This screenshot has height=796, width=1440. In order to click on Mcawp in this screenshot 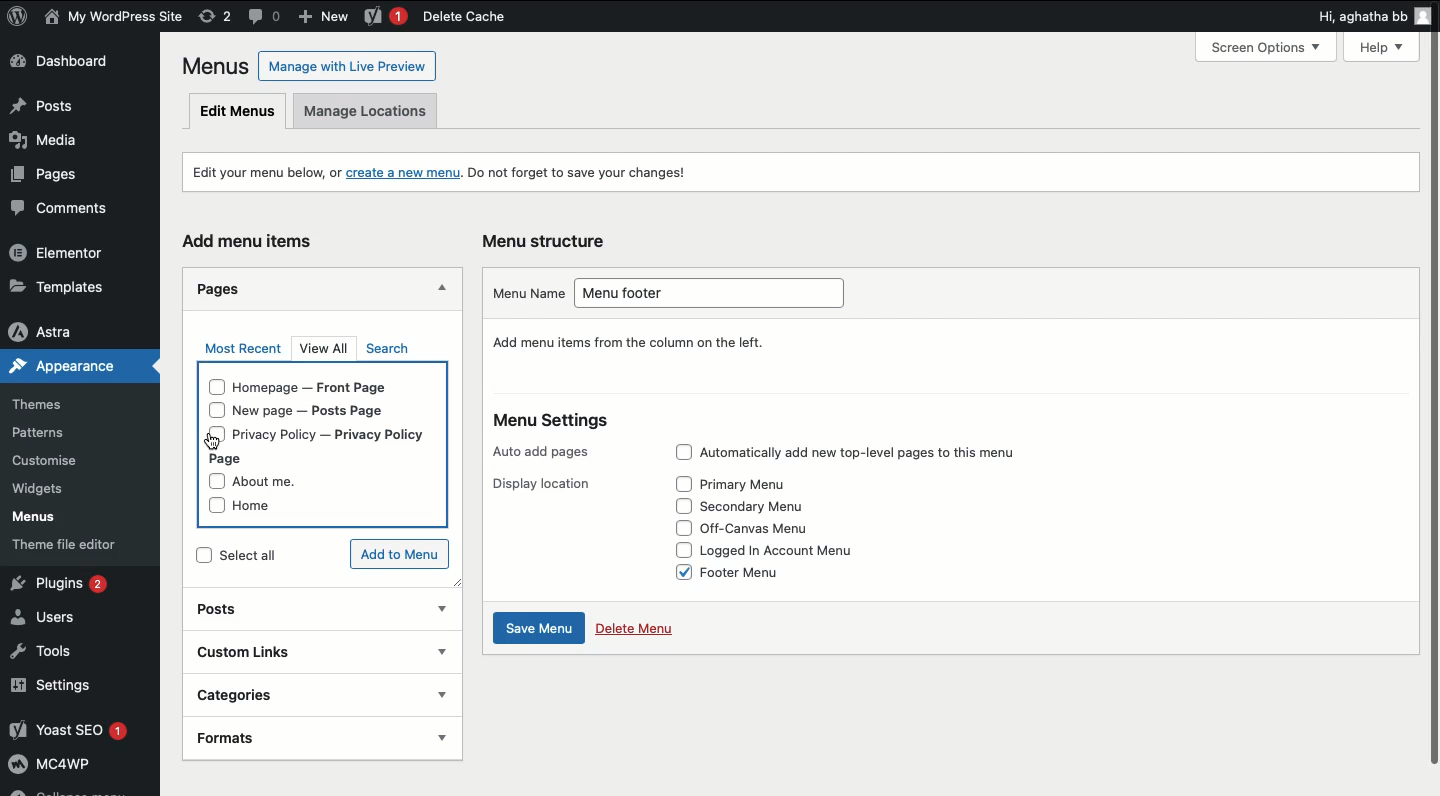, I will do `click(80, 768)`.